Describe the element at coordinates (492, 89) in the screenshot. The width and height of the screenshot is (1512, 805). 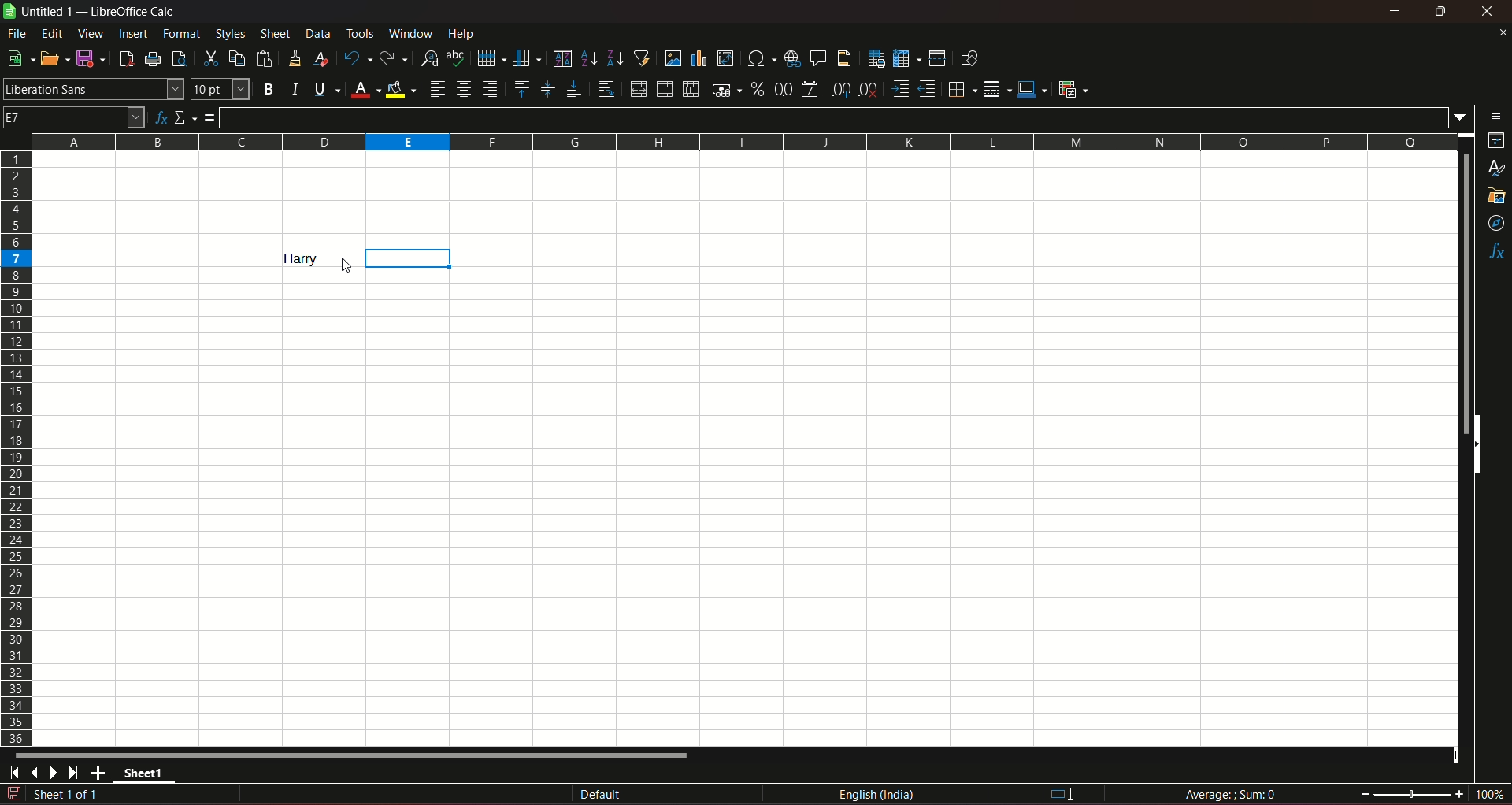
I see `align right` at that location.